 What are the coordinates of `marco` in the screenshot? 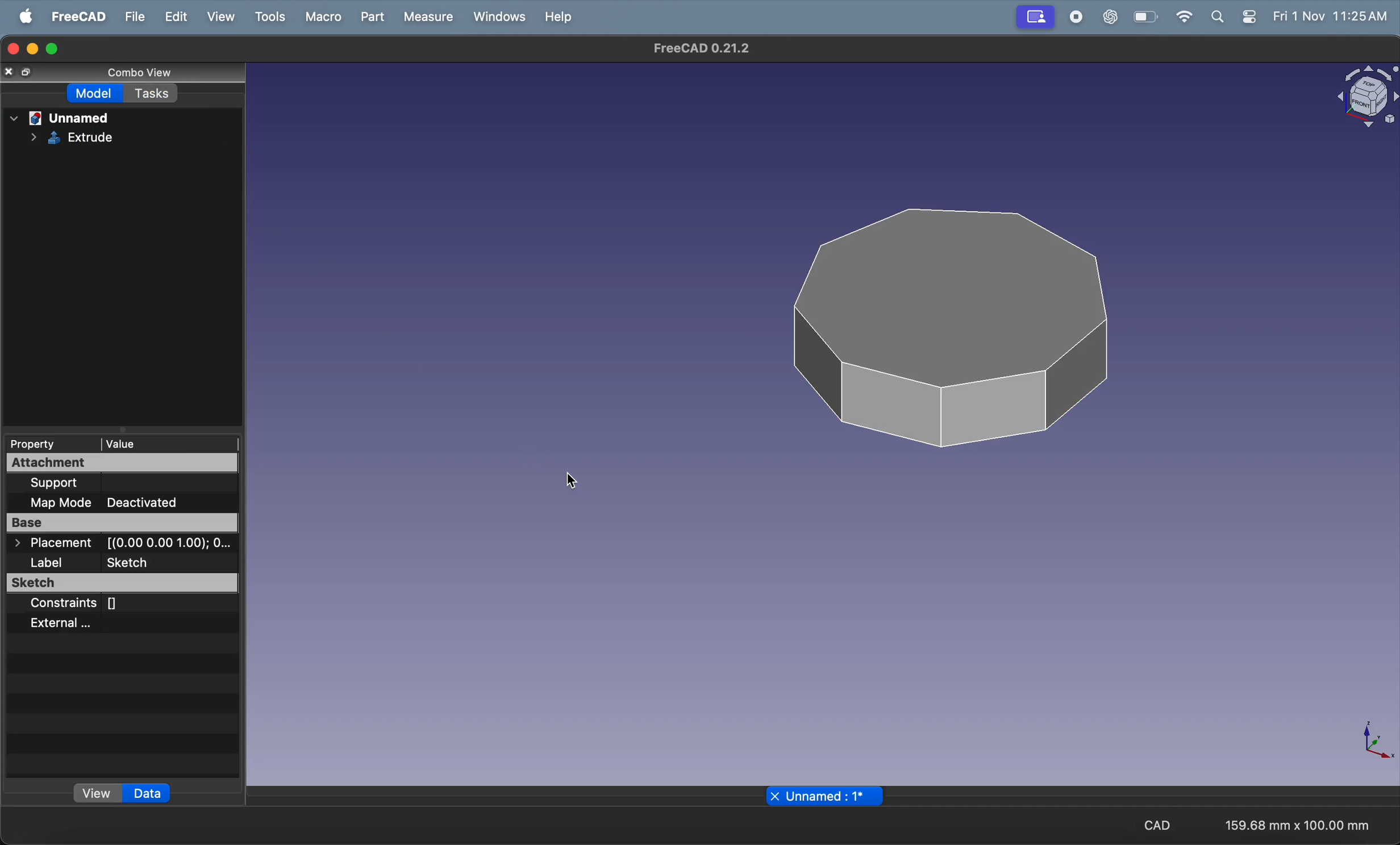 It's located at (322, 17).